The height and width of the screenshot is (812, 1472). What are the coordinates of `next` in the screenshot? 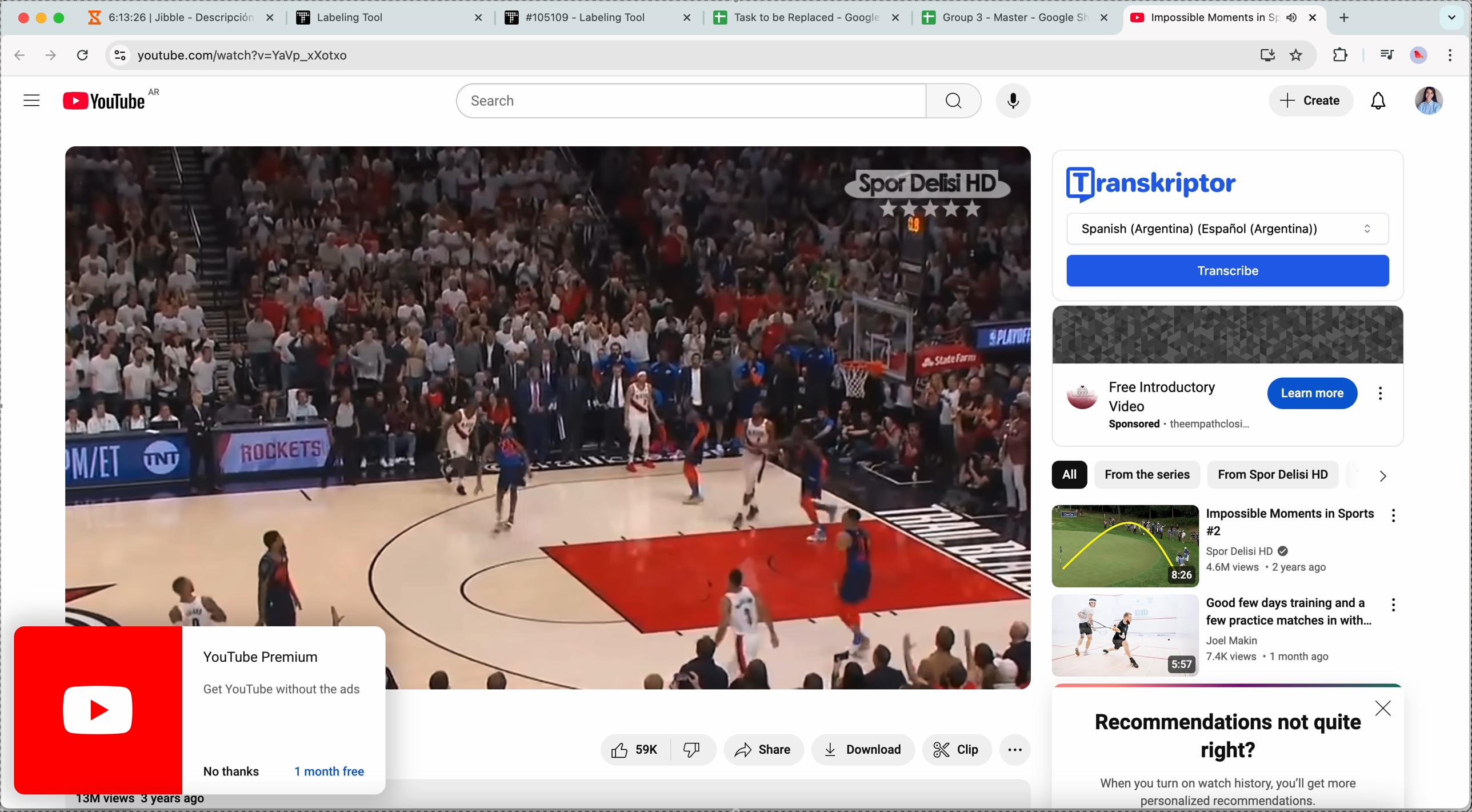 It's located at (1383, 476).